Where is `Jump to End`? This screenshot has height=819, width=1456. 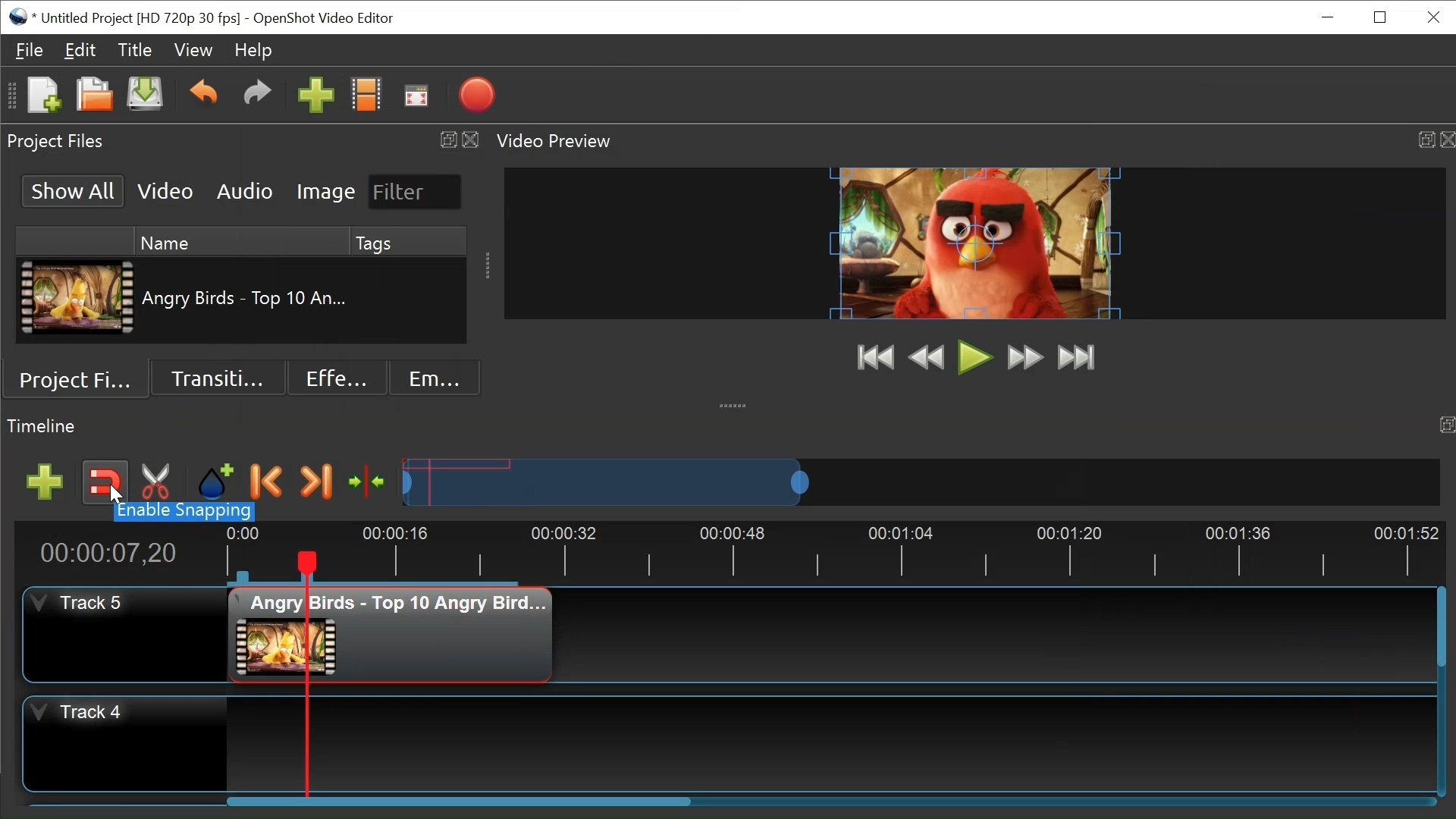
Jump to End is located at coordinates (1078, 356).